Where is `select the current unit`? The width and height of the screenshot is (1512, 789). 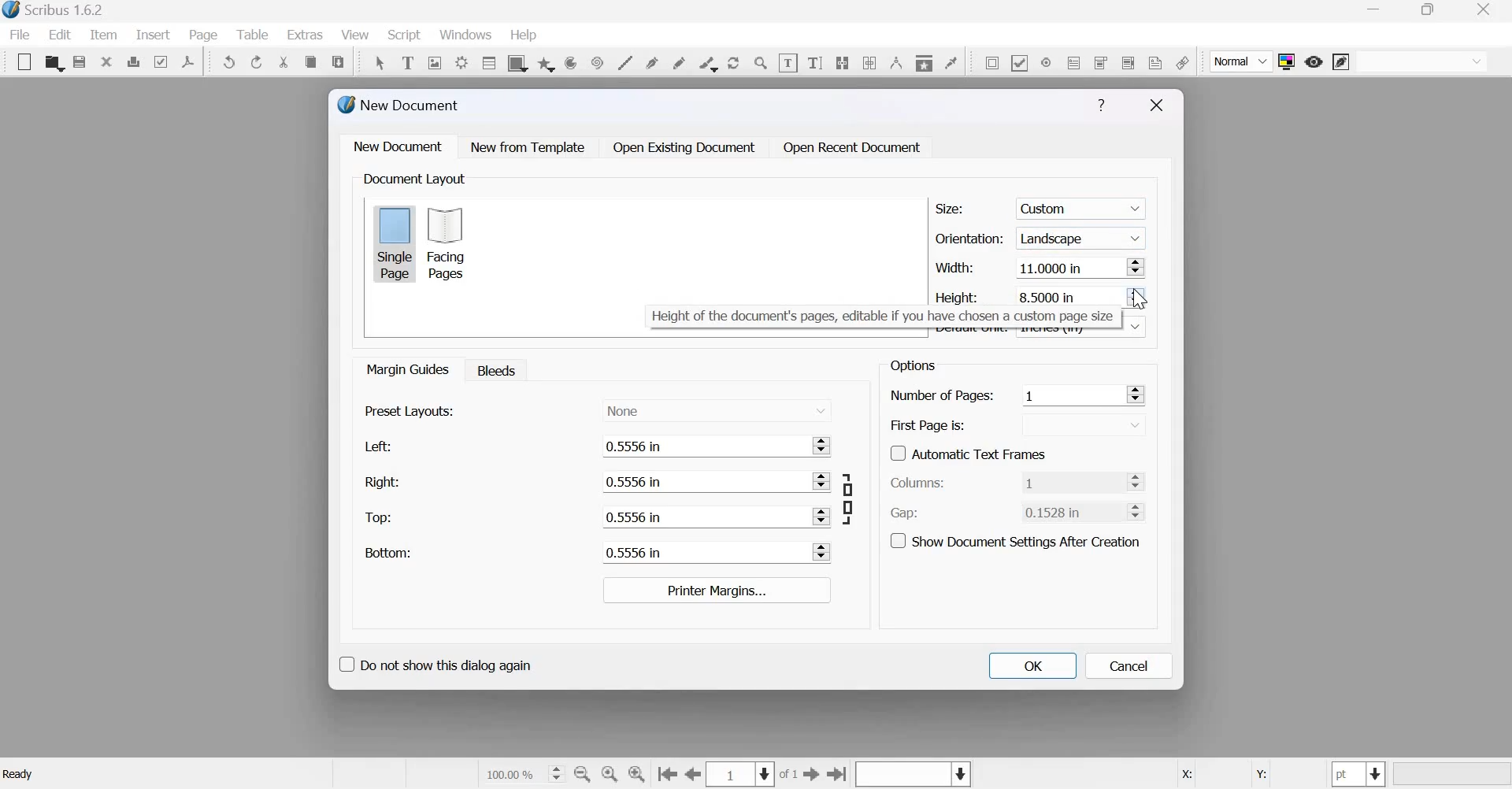
select the current unit is located at coordinates (1359, 774).